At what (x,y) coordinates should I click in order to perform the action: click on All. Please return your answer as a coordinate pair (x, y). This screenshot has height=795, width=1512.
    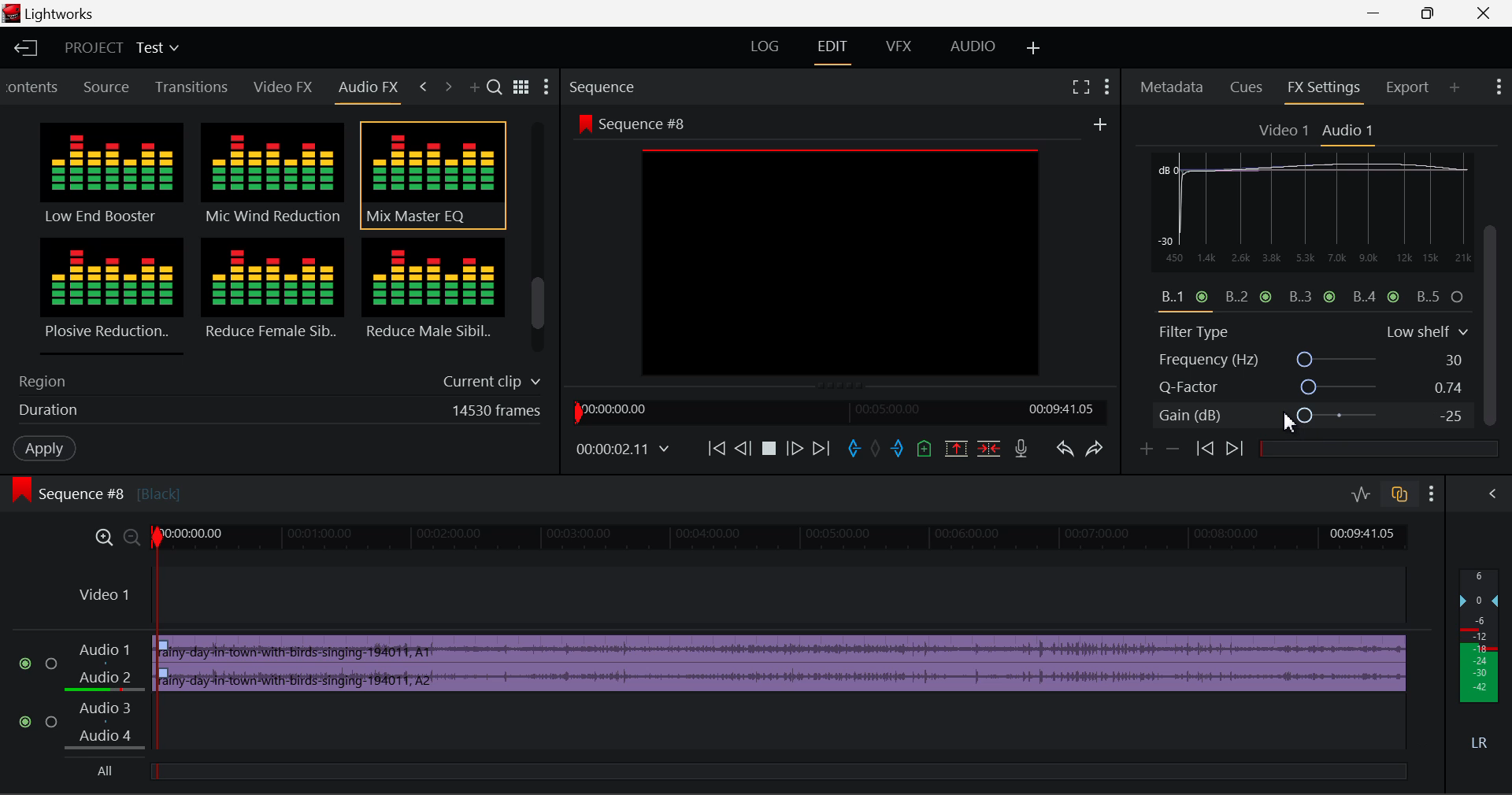
    Looking at the image, I should click on (113, 770).